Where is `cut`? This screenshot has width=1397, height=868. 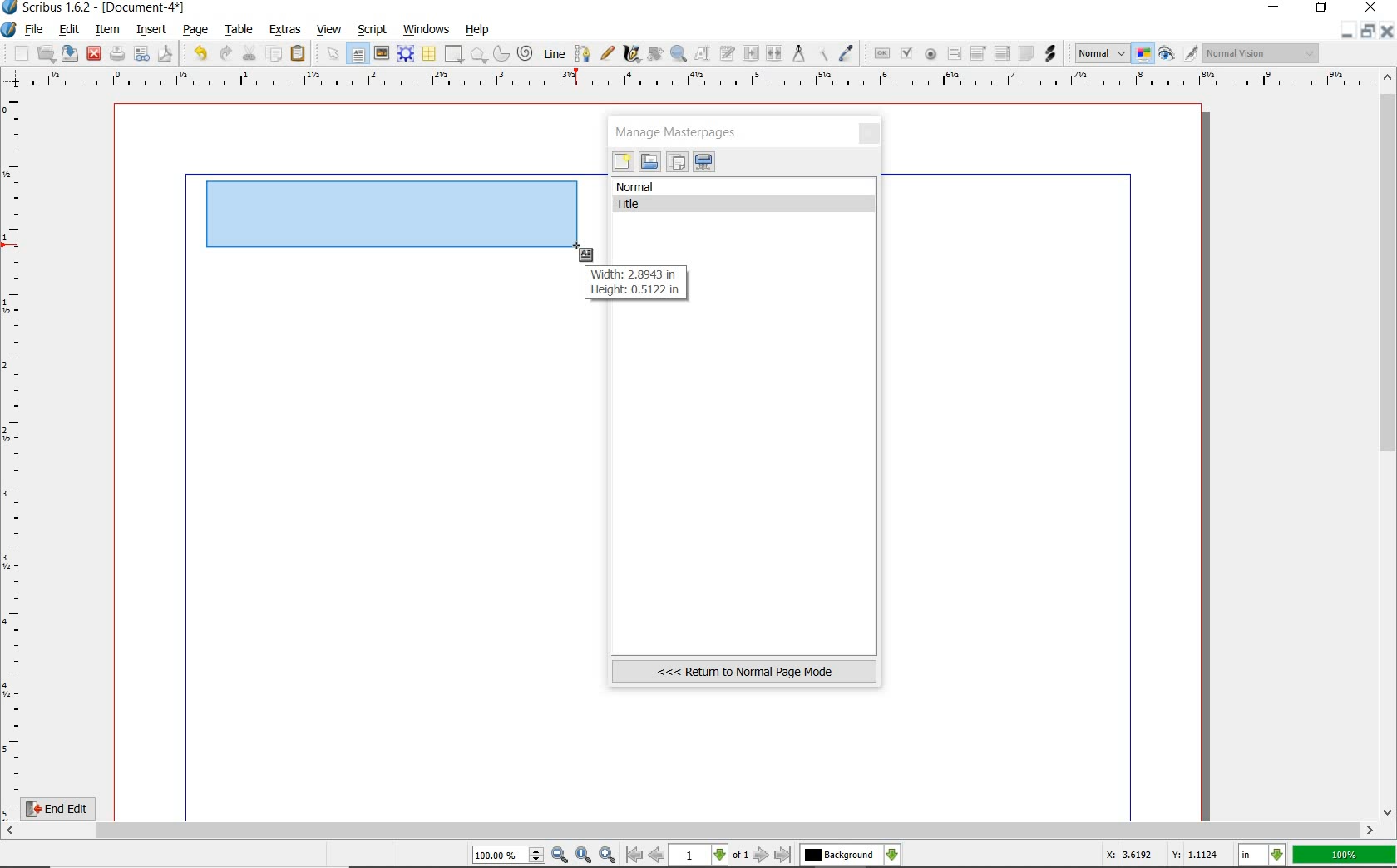
cut is located at coordinates (249, 52).